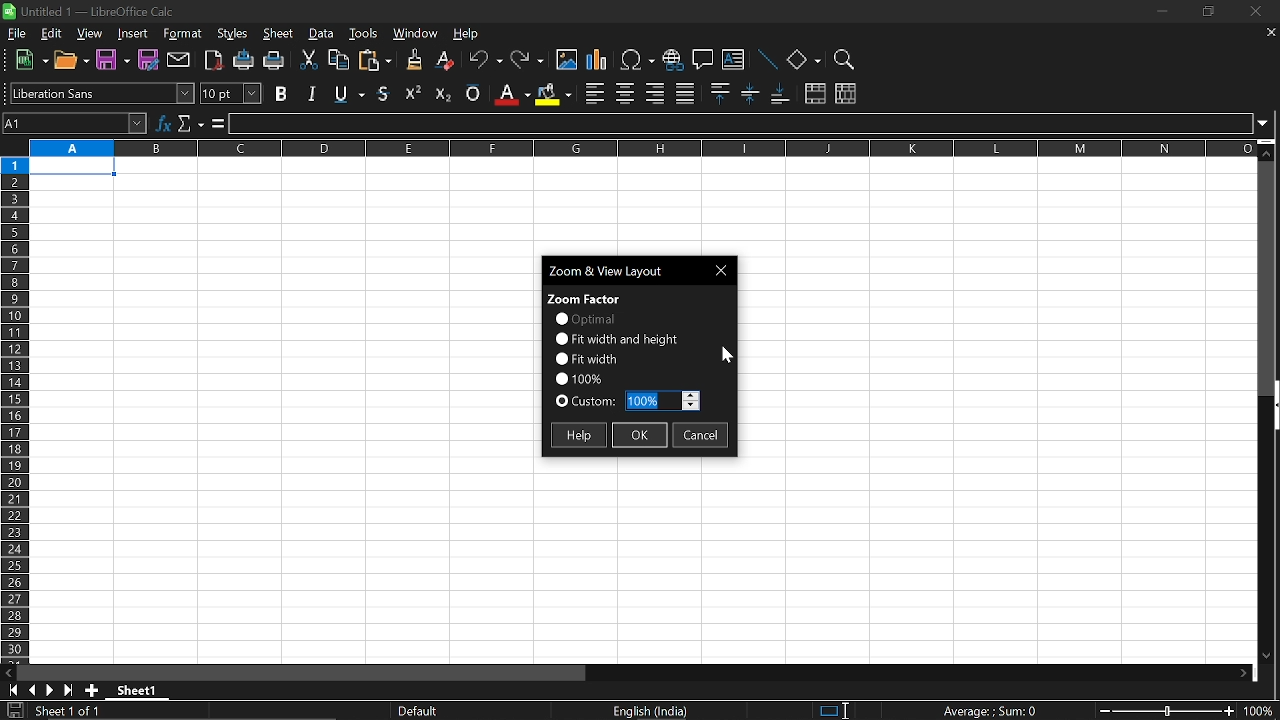  Describe the element at coordinates (385, 93) in the screenshot. I see `underline` at that location.